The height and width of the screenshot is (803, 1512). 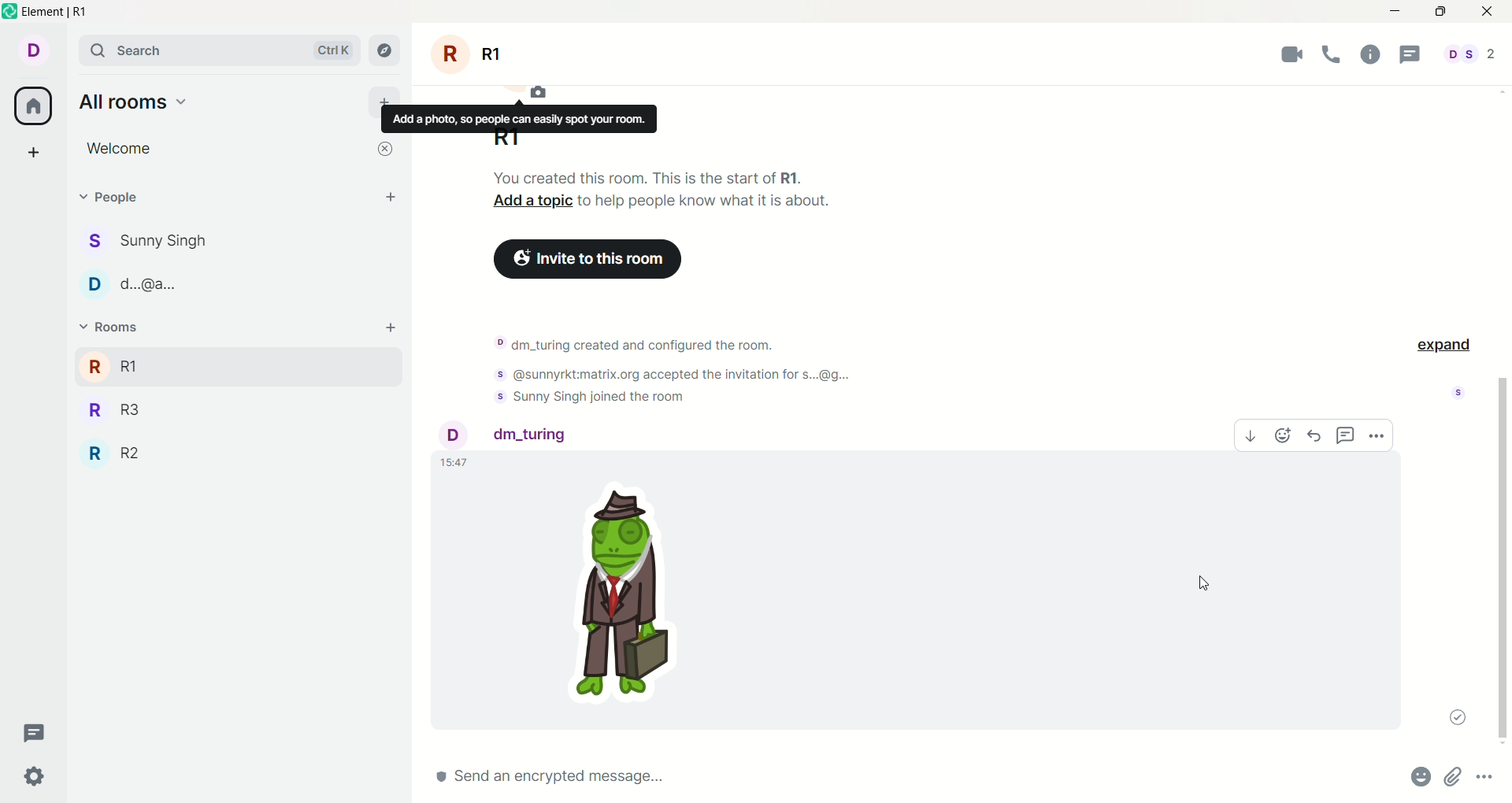 What do you see at coordinates (135, 102) in the screenshot?
I see `all rooms` at bounding box center [135, 102].